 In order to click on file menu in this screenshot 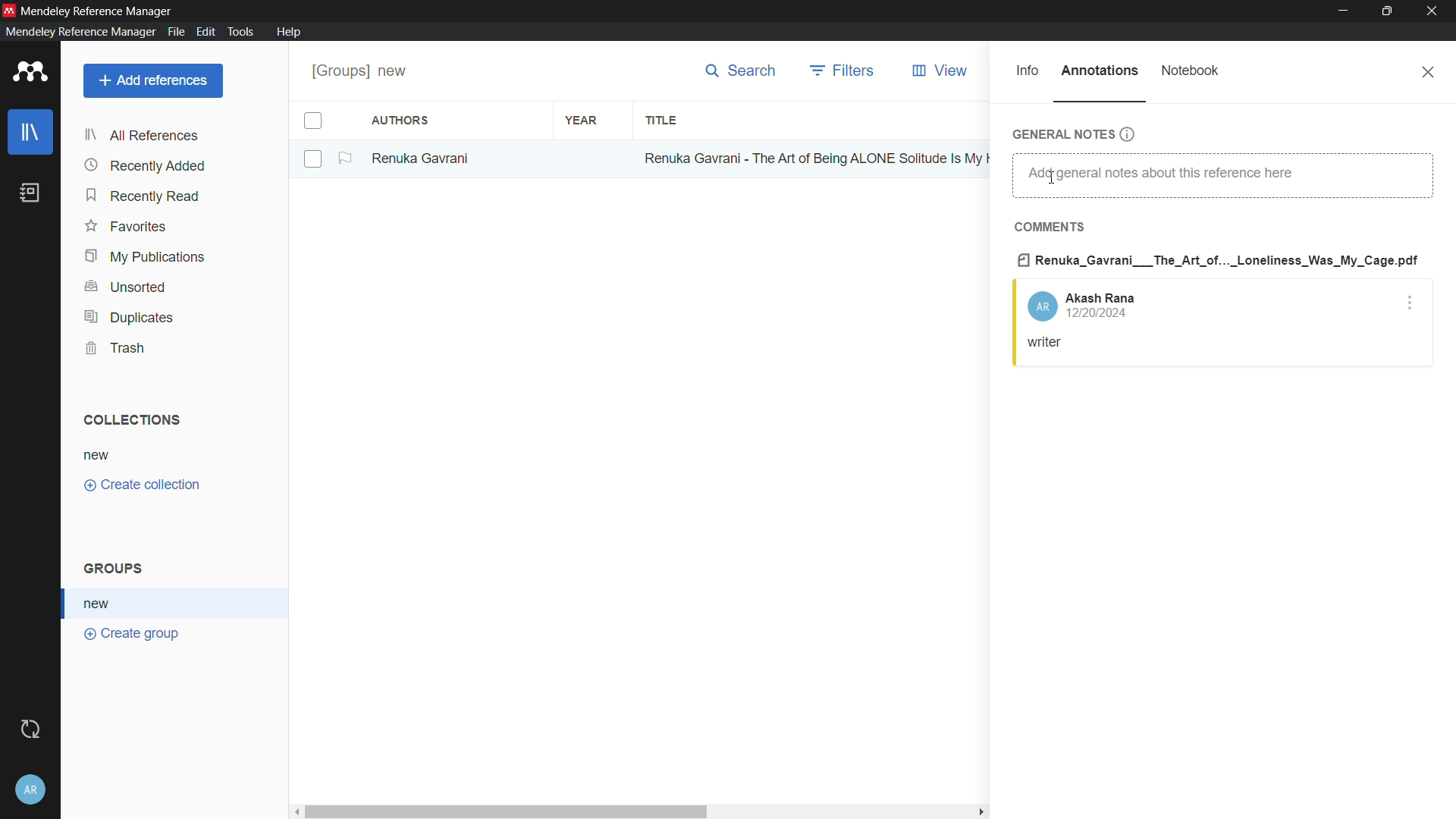, I will do `click(176, 32)`.